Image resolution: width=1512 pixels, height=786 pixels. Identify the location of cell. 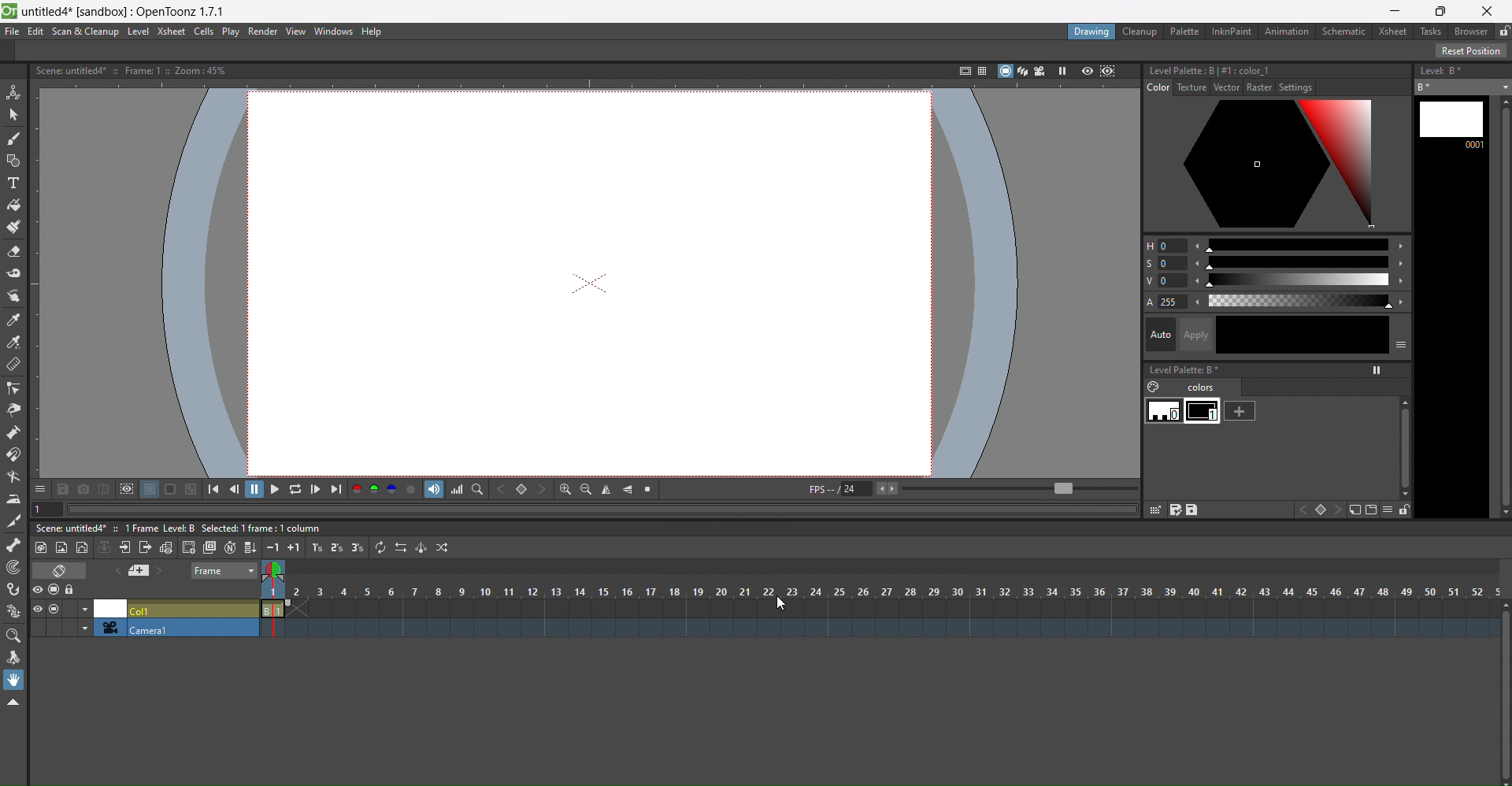
(174, 608).